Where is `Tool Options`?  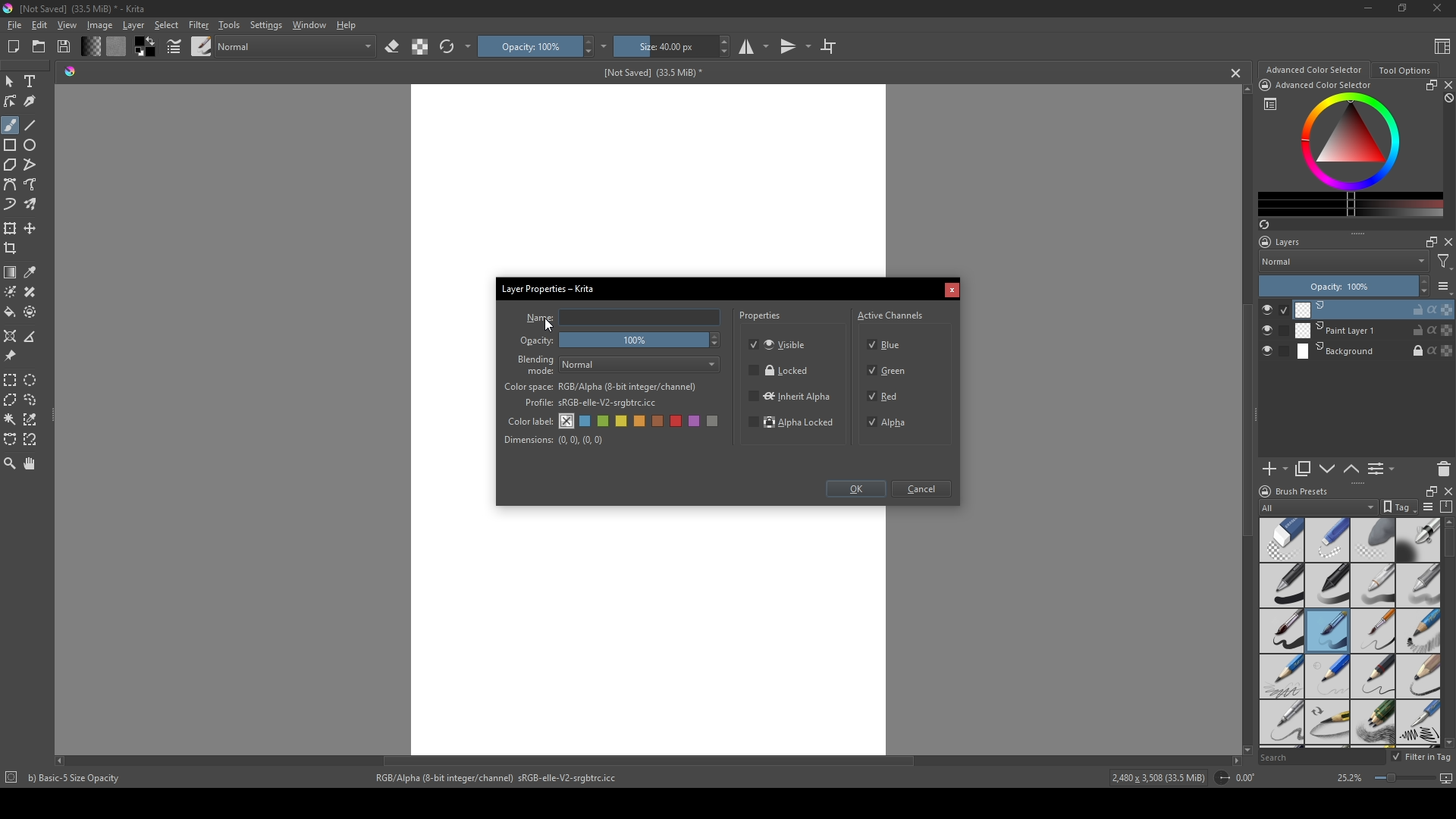
Tool Options is located at coordinates (1404, 71).